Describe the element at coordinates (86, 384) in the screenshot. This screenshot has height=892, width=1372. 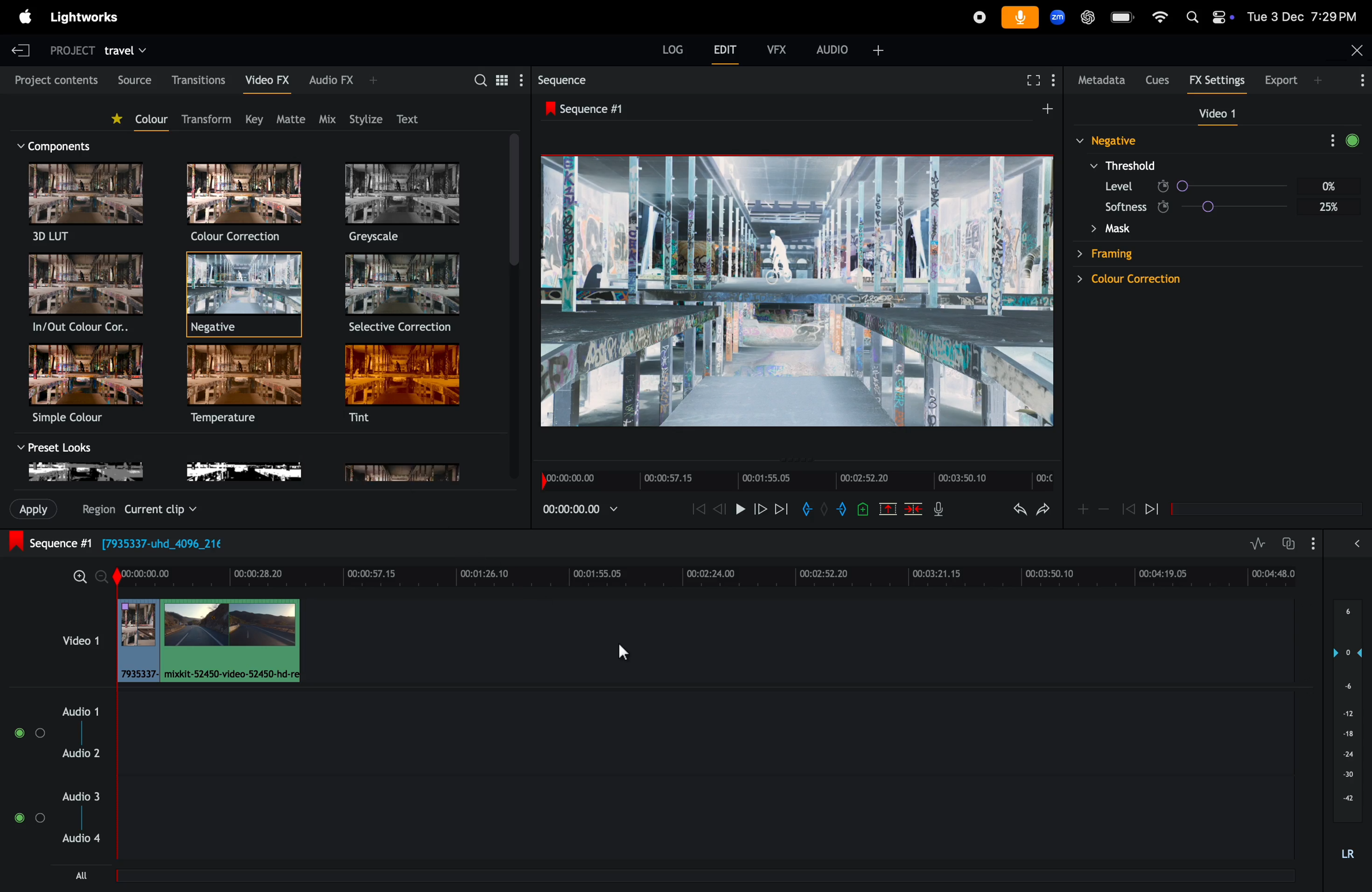
I see `simple color` at that location.